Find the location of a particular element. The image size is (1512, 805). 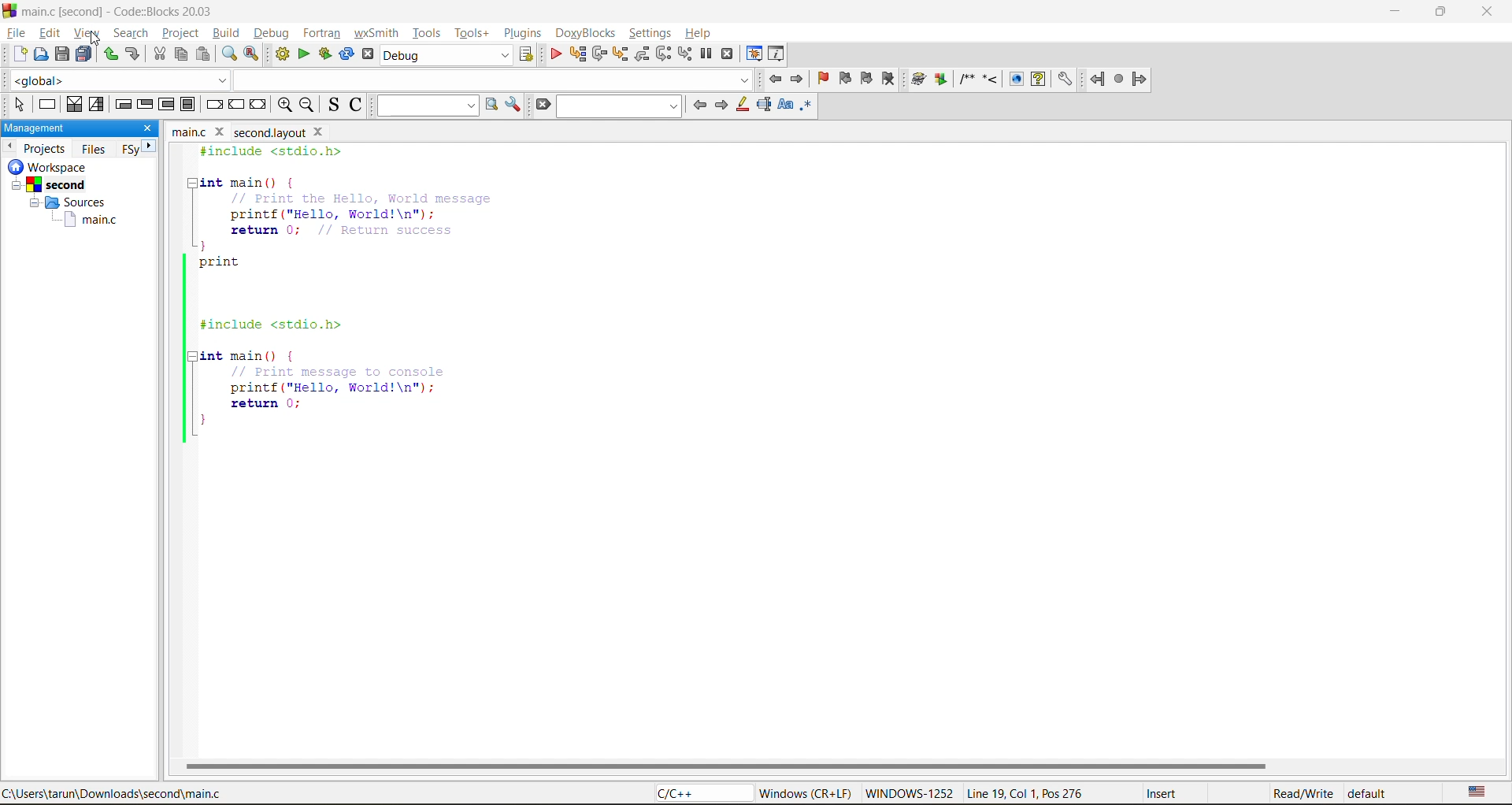

previous is located at coordinates (698, 105).